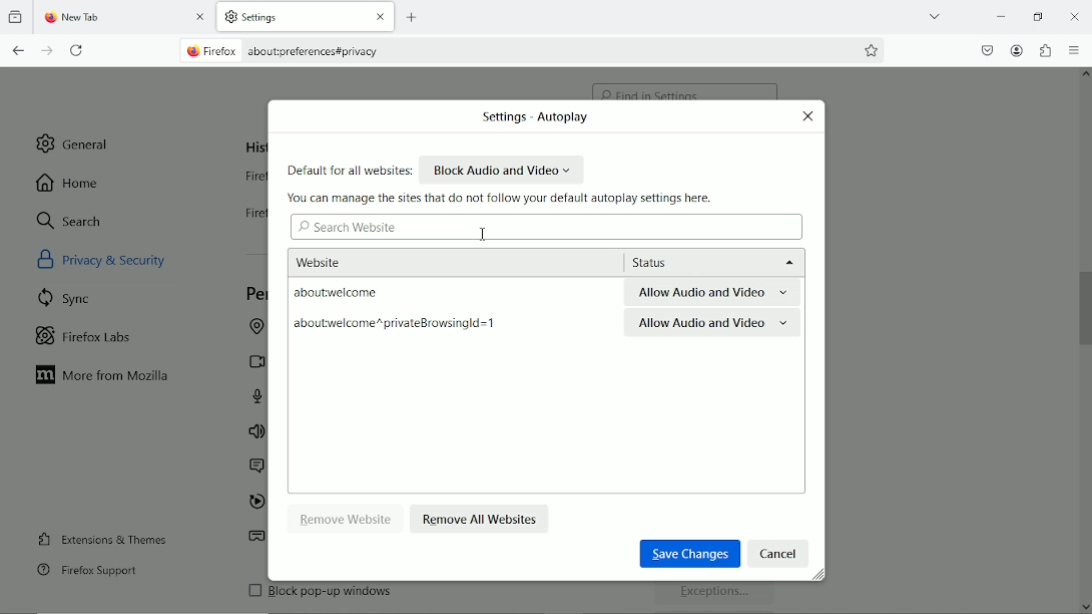 Image resolution: width=1092 pixels, height=614 pixels. What do you see at coordinates (254, 467) in the screenshot?
I see `notifications` at bounding box center [254, 467].